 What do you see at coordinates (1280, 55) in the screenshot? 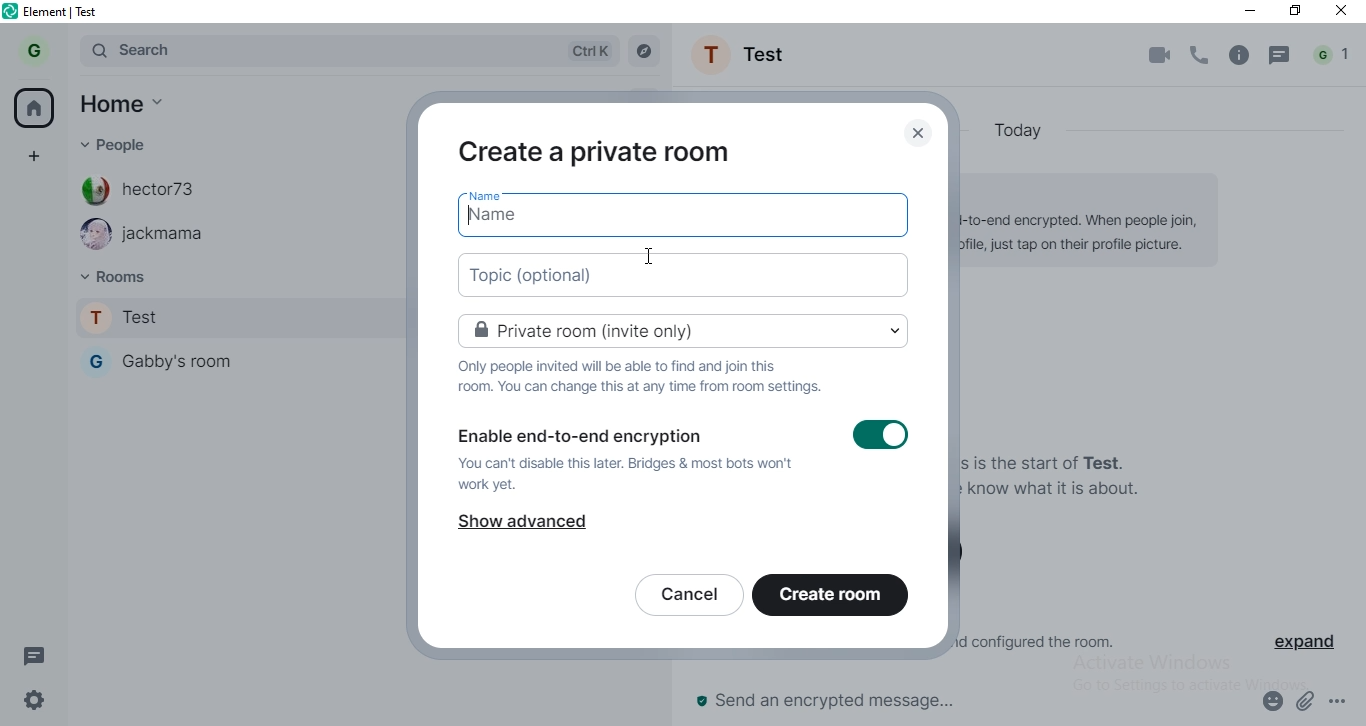
I see `message` at bounding box center [1280, 55].